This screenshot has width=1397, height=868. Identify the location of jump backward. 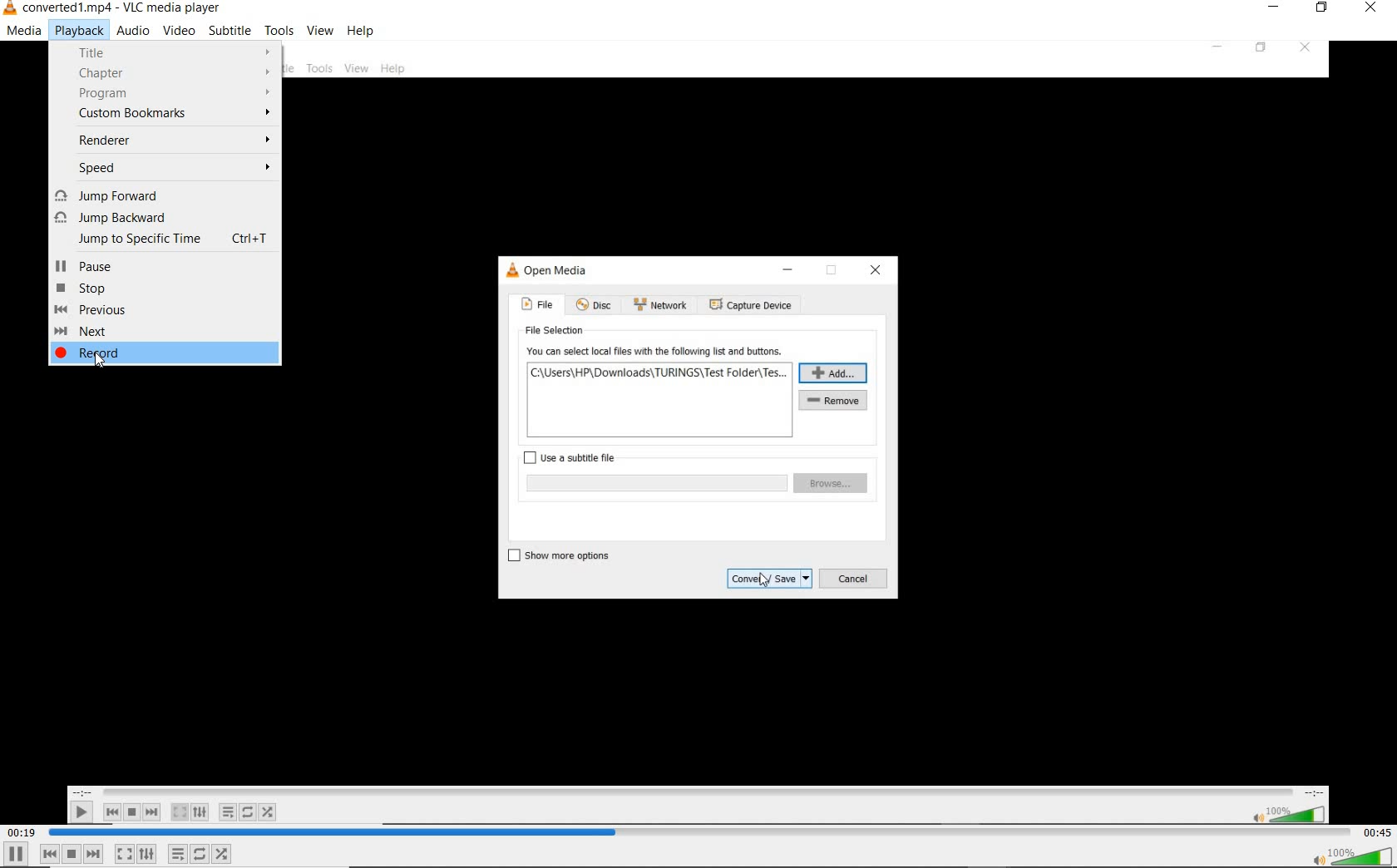
(164, 218).